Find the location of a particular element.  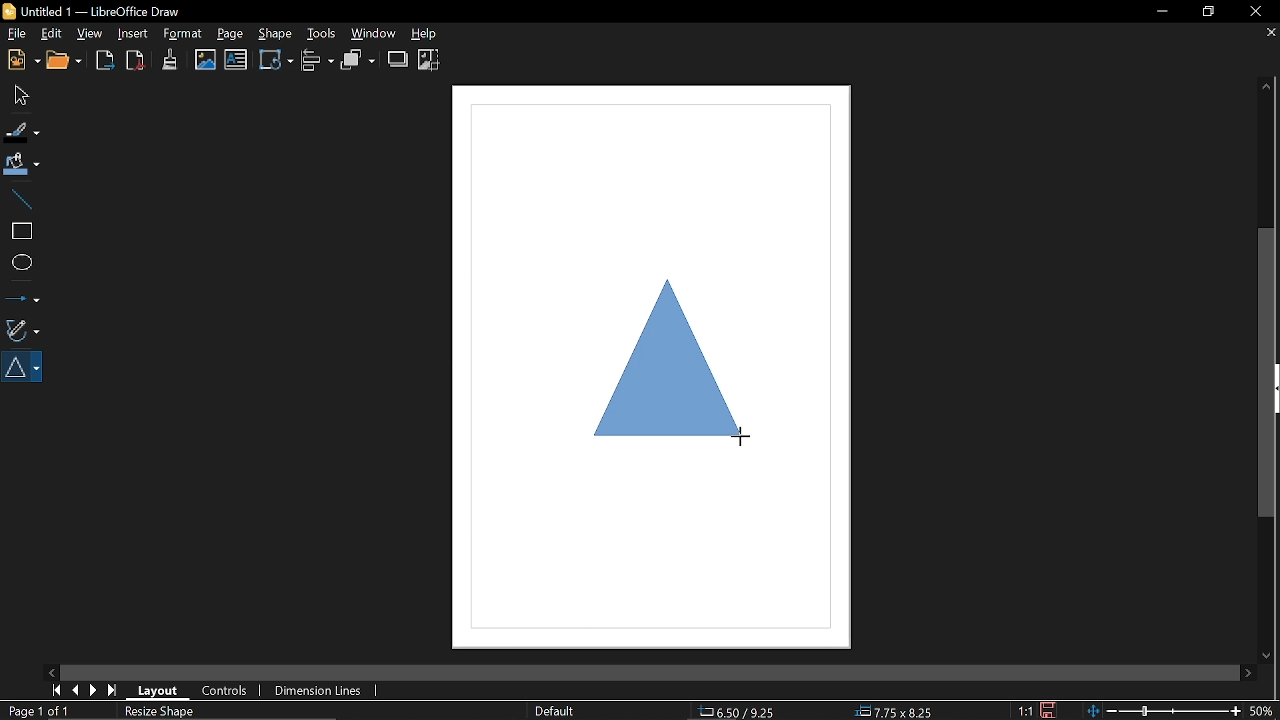

POsition is located at coordinates (747, 710).